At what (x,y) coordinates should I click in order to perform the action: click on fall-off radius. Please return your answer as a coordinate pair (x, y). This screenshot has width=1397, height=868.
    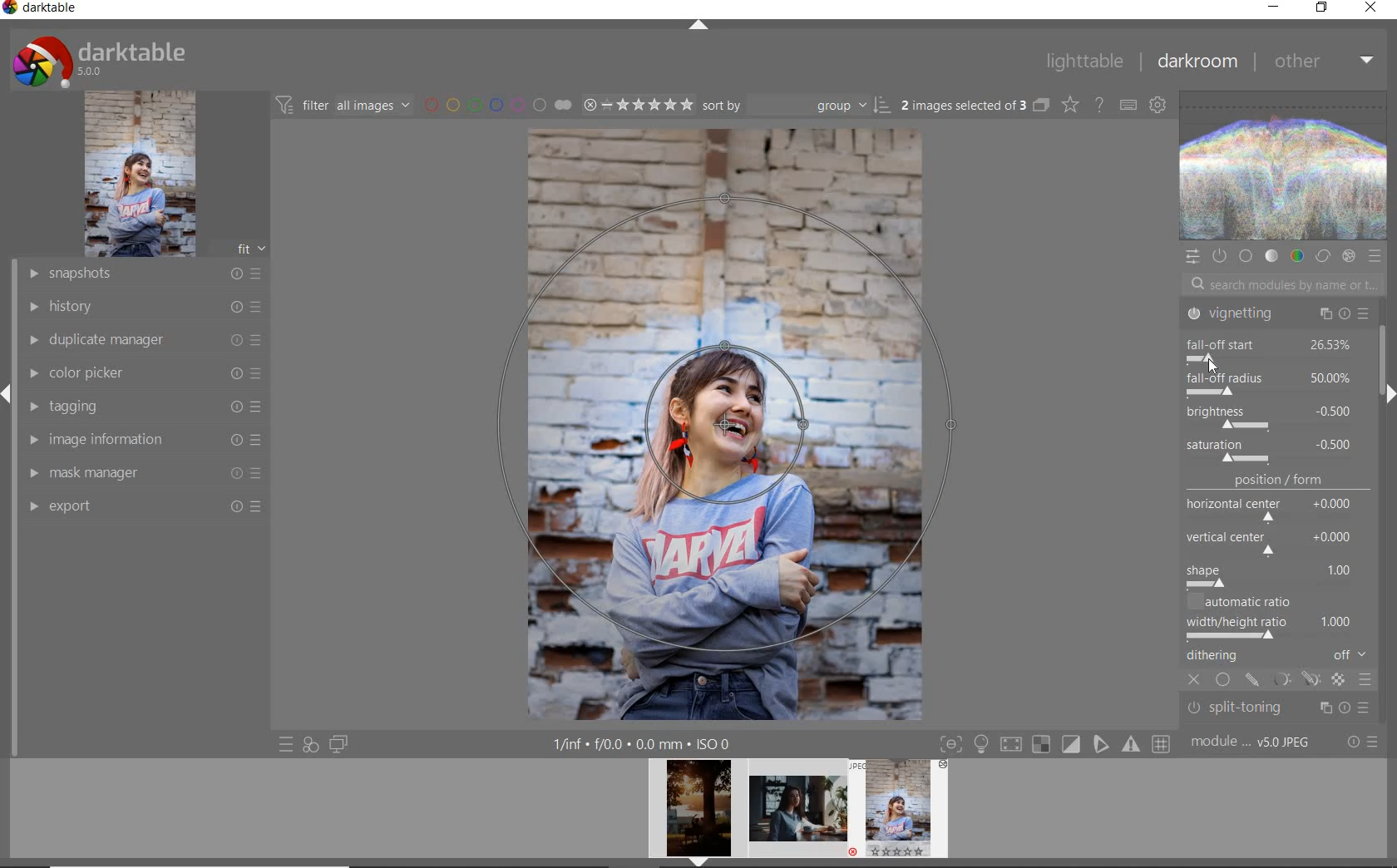
    Looking at the image, I should click on (1270, 382).